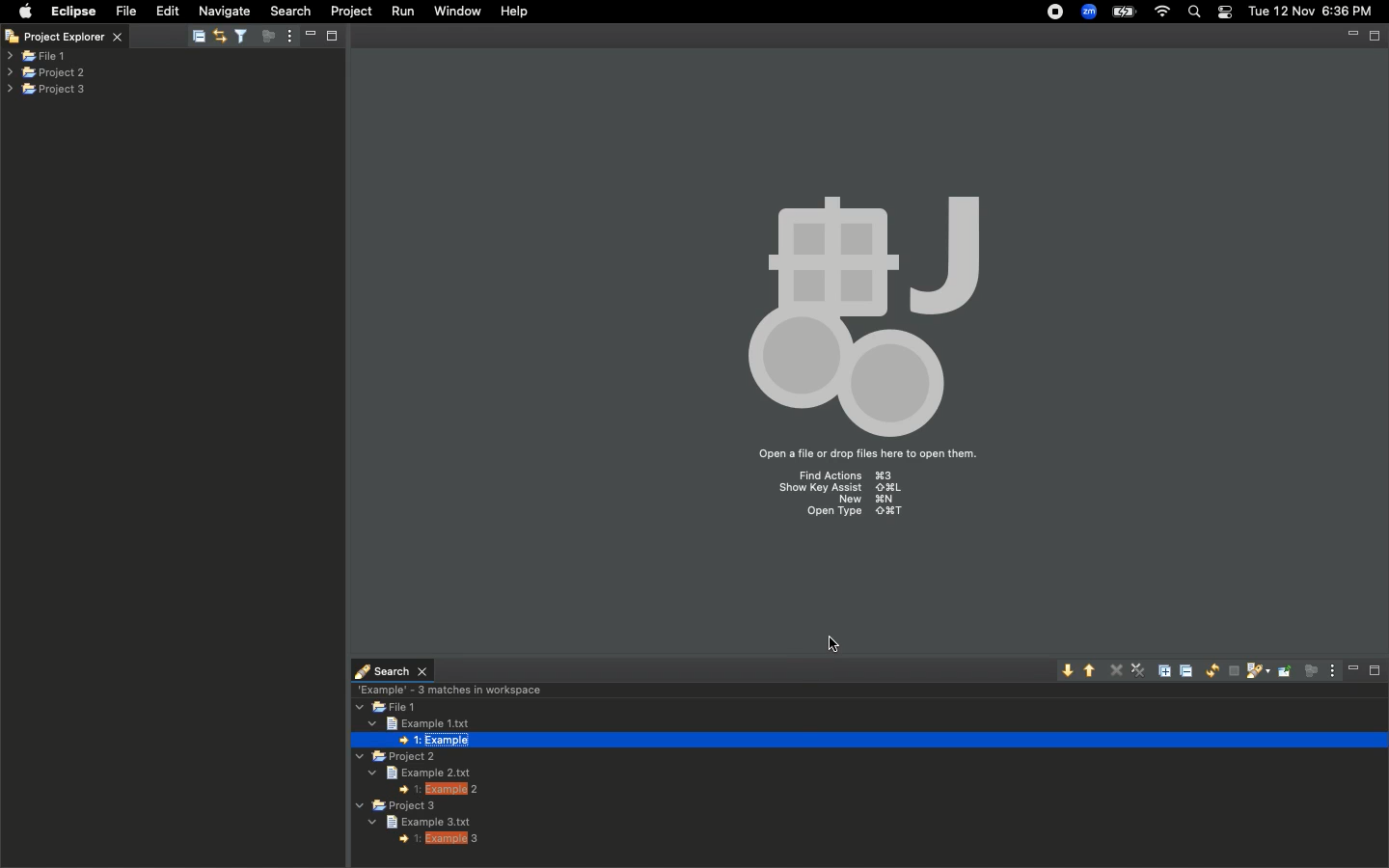 Image resolution: width=1389 pixels, height=868 pixels. I want to click on Window, so click(453, 11).